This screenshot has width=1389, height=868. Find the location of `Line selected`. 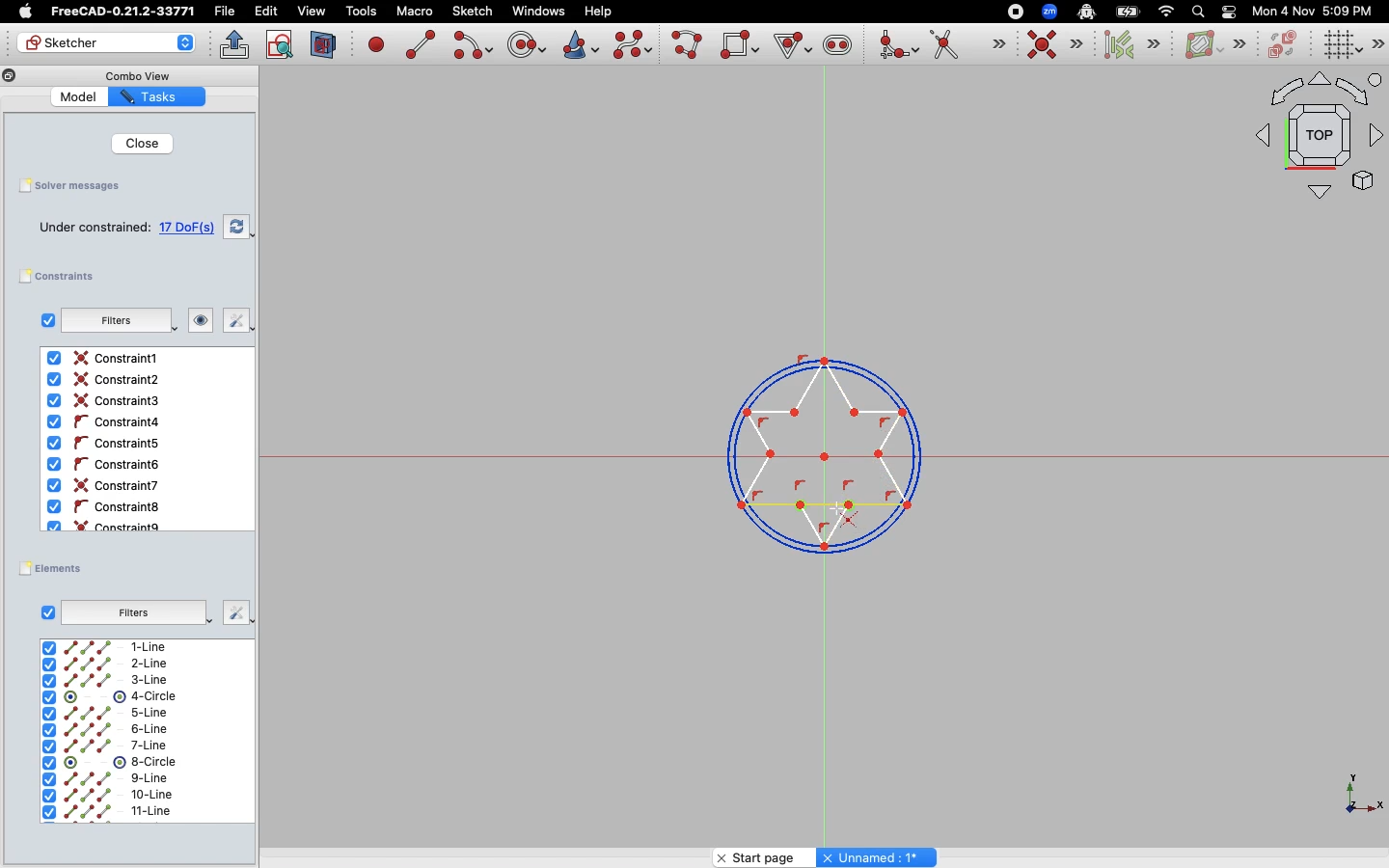

Line selected is located at coordinates (853, 455).